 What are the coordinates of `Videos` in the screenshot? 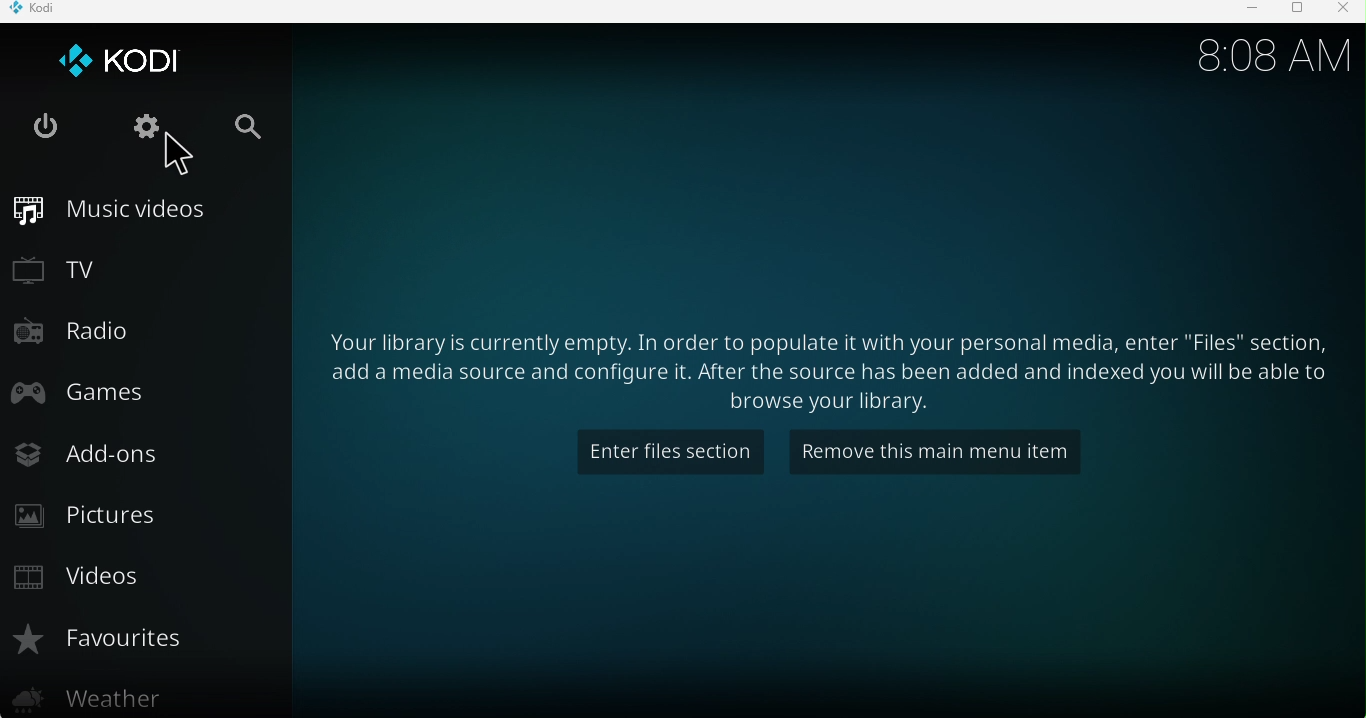 It's located at (97, 573).